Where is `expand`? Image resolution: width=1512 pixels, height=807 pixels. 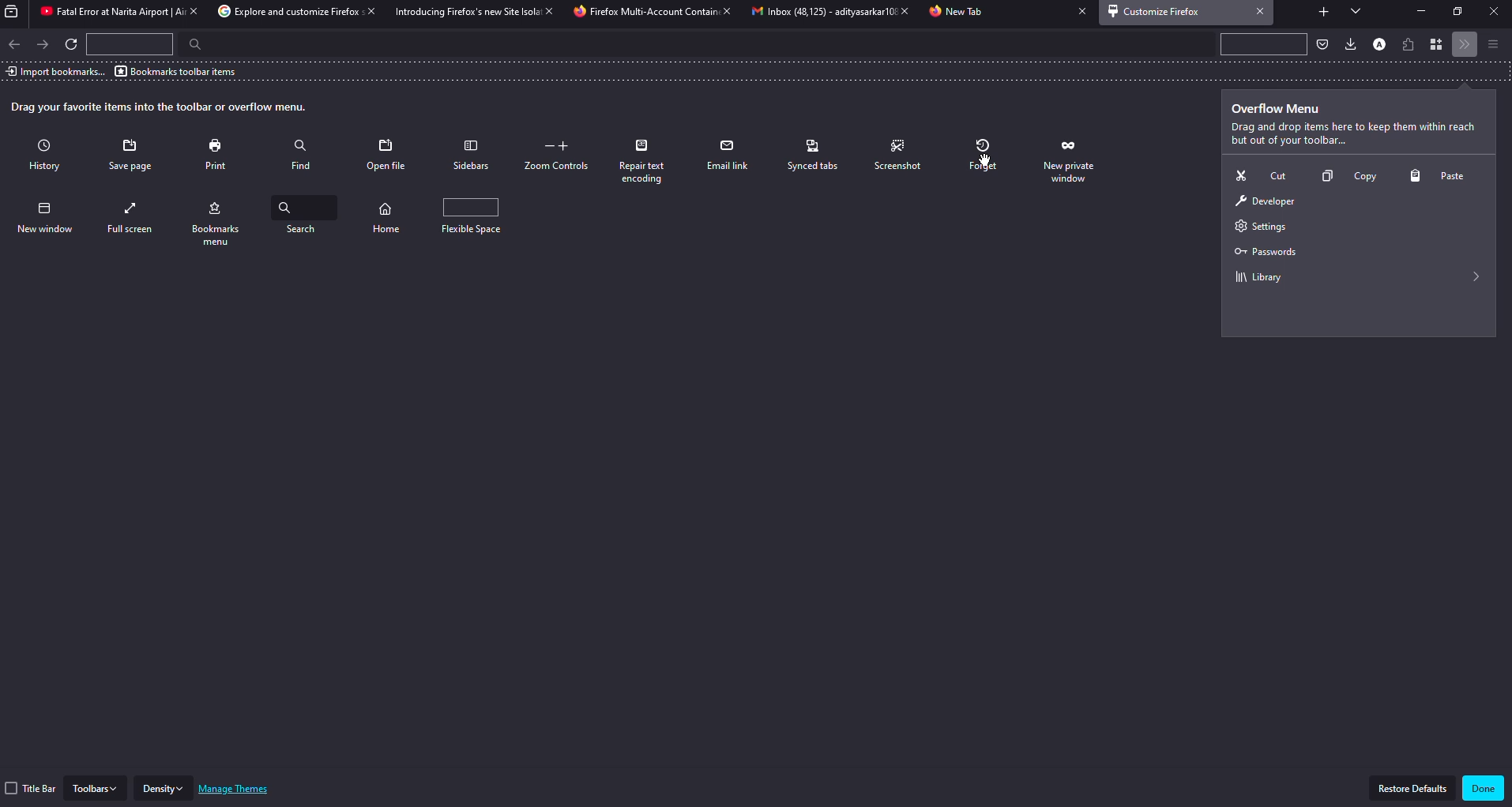
expand is located at coordinates (1477, 276).